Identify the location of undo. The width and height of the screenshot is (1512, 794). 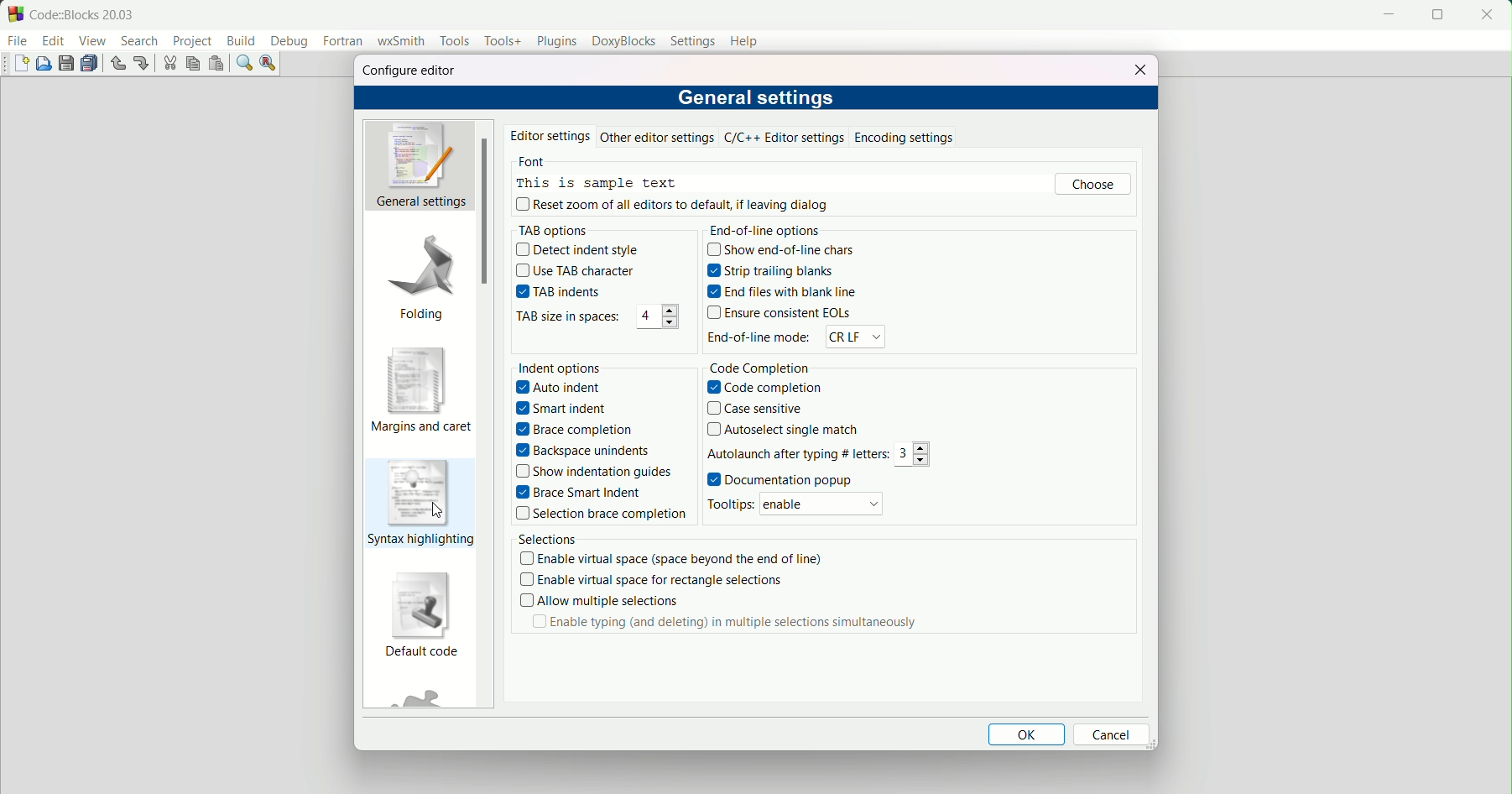
(117, 64).